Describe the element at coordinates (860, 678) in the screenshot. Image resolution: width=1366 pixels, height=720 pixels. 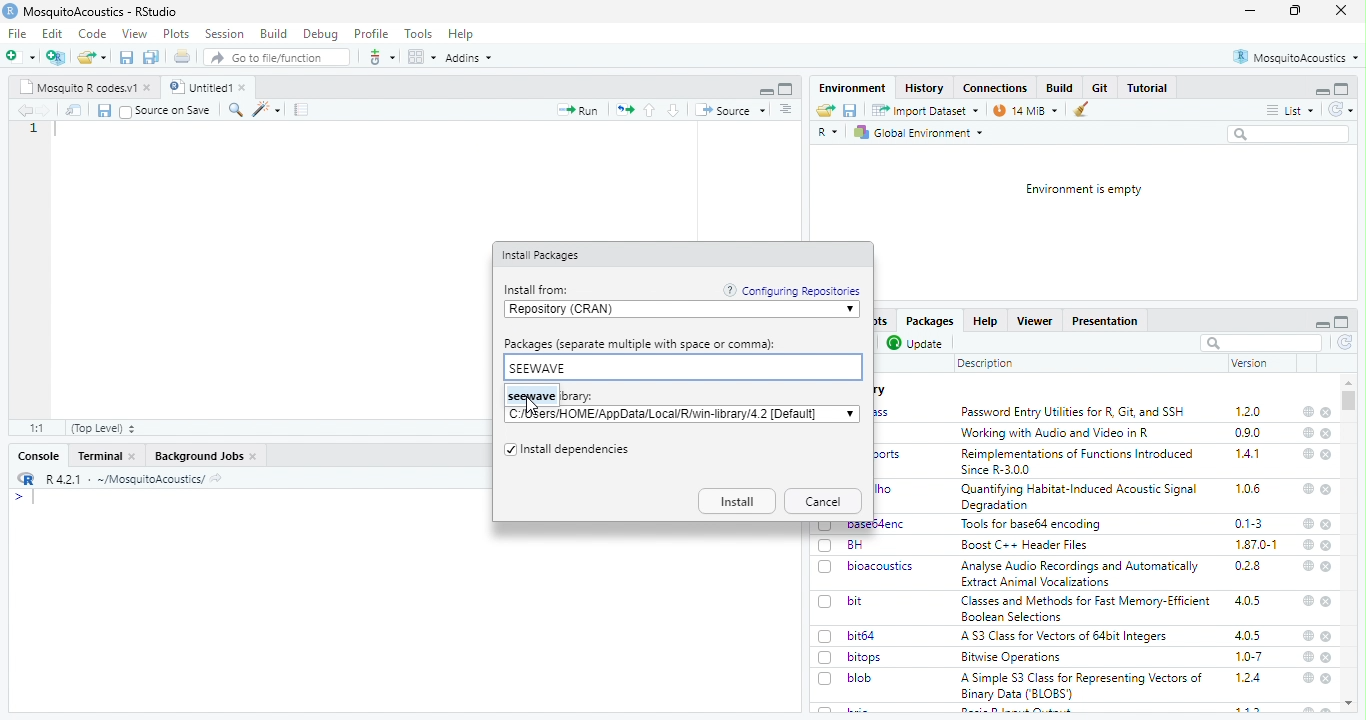
I see `blob` at that location.